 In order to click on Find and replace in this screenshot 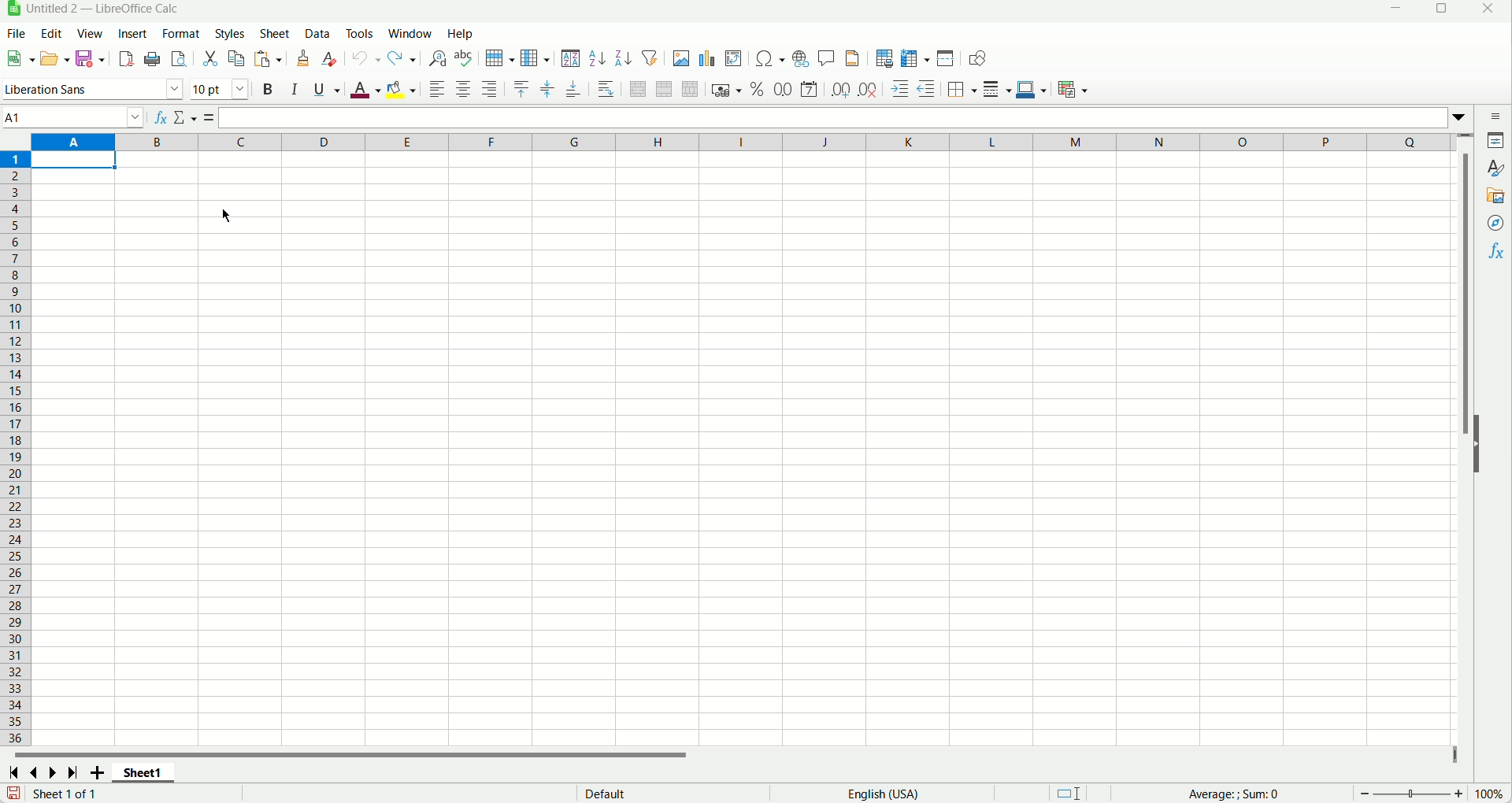, I will do `click(438, 59)`.